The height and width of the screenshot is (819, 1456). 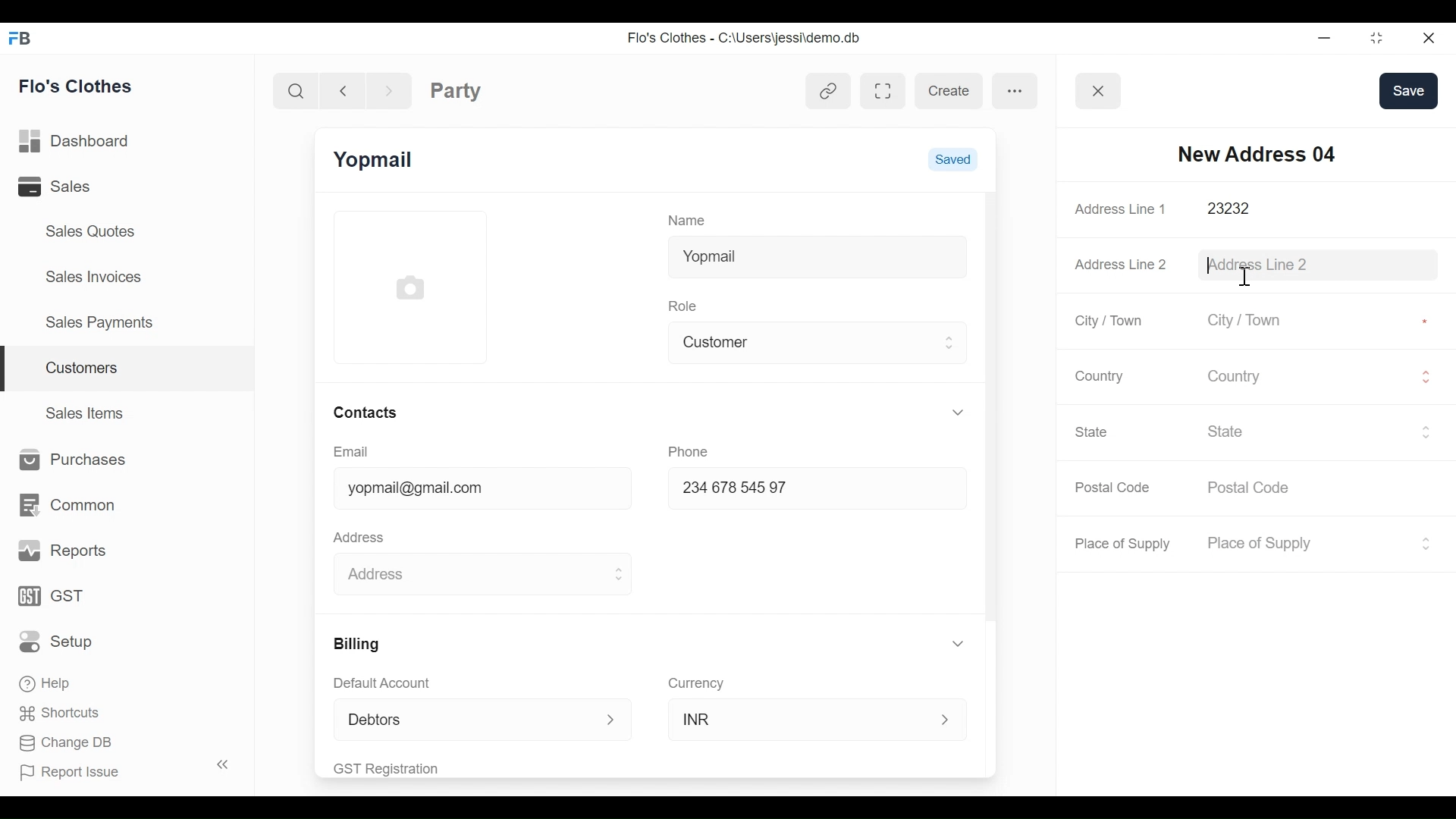 What do you see at coordinates (617, 575) in the screenshot?
I see `Expand` at bounding box center [617, 575].